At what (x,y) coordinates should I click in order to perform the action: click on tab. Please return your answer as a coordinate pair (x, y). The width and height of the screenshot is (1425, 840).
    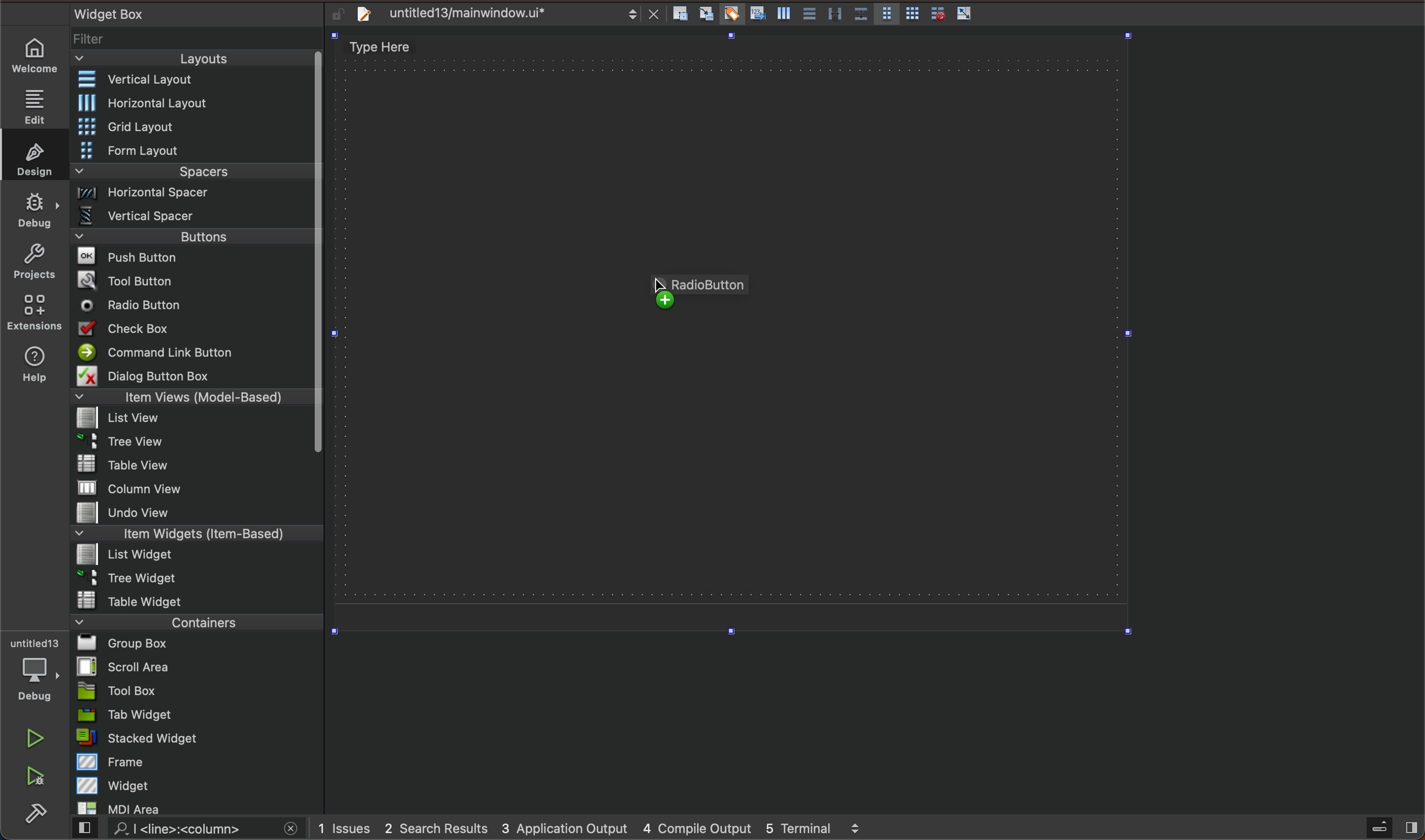
    Looking at the image, I should click on (199, 714).